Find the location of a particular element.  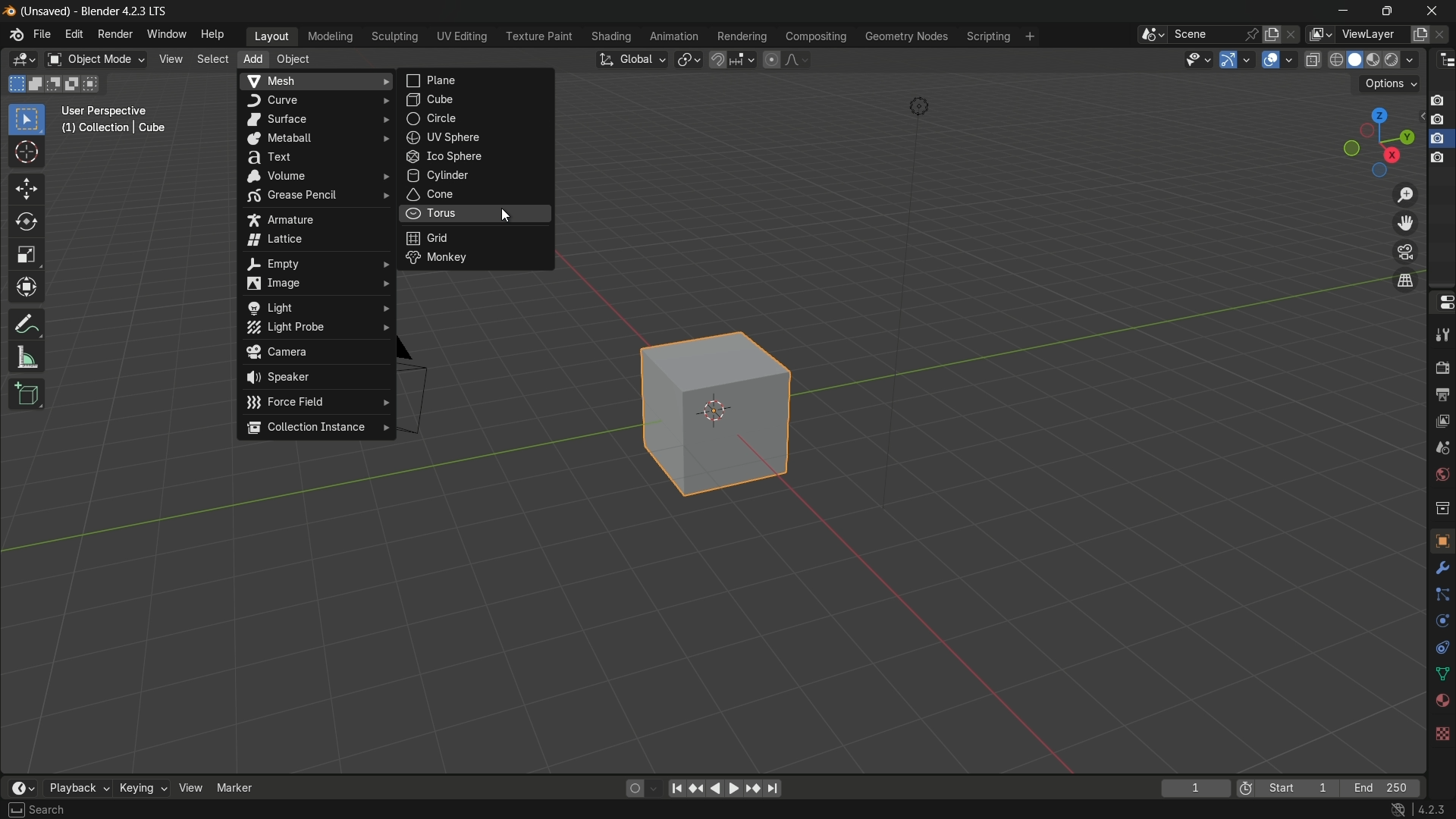

modeling is located at coordinates (331, 37).